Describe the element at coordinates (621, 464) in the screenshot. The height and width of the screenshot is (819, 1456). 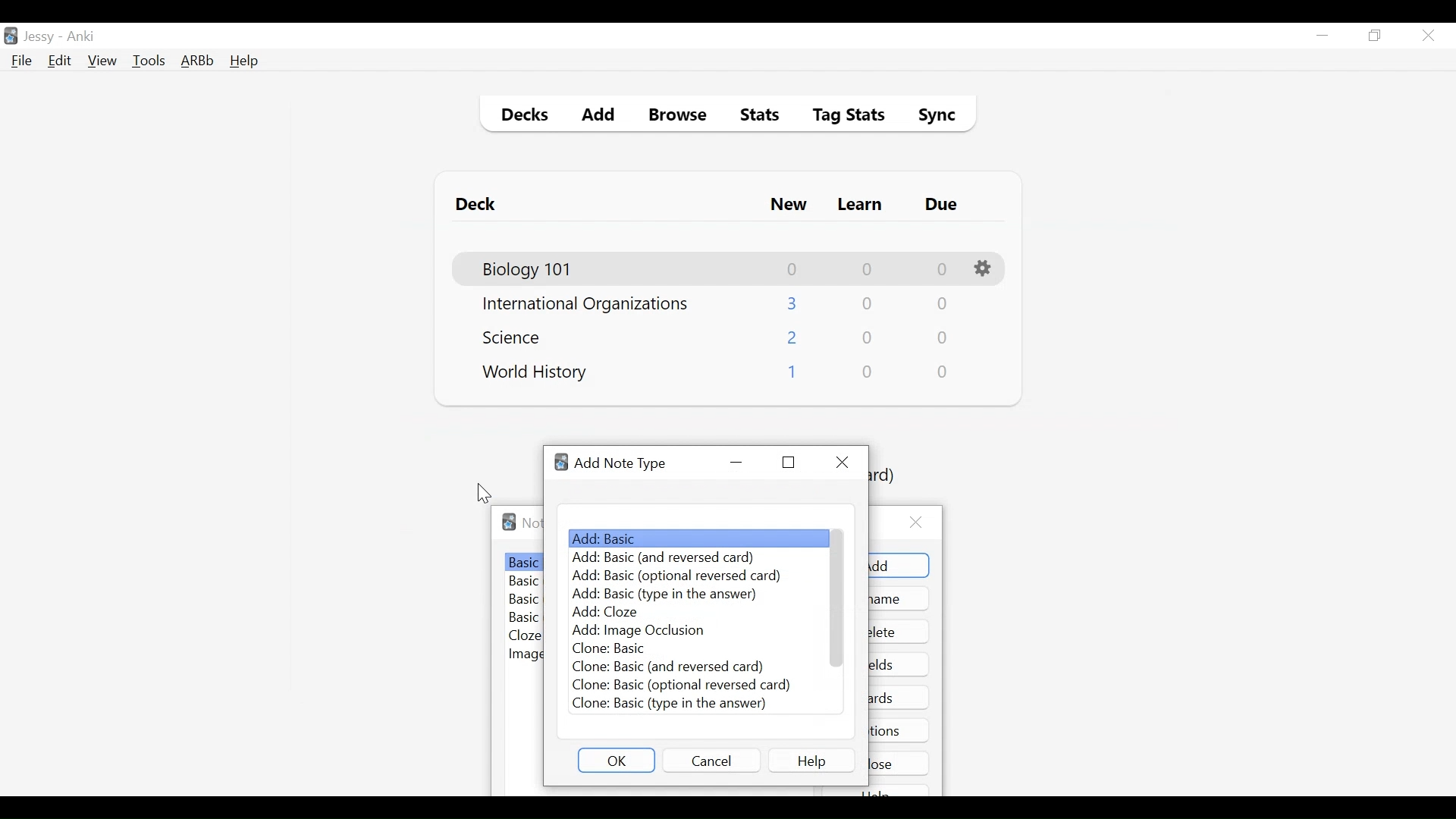
I see `Add Note Type` at that location.